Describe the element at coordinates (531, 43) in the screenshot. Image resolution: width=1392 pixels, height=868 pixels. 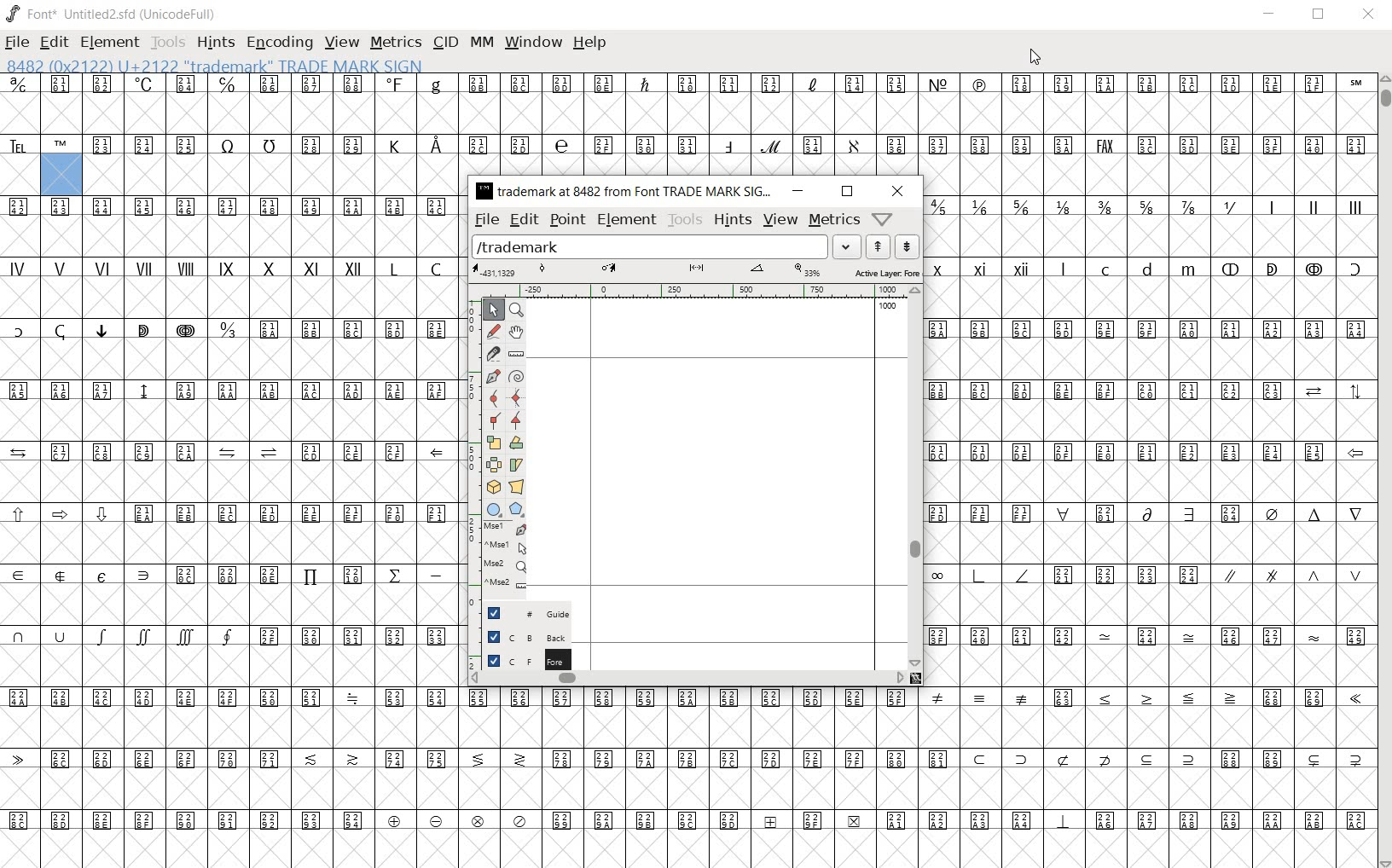
I see `WINDOW` at that location.